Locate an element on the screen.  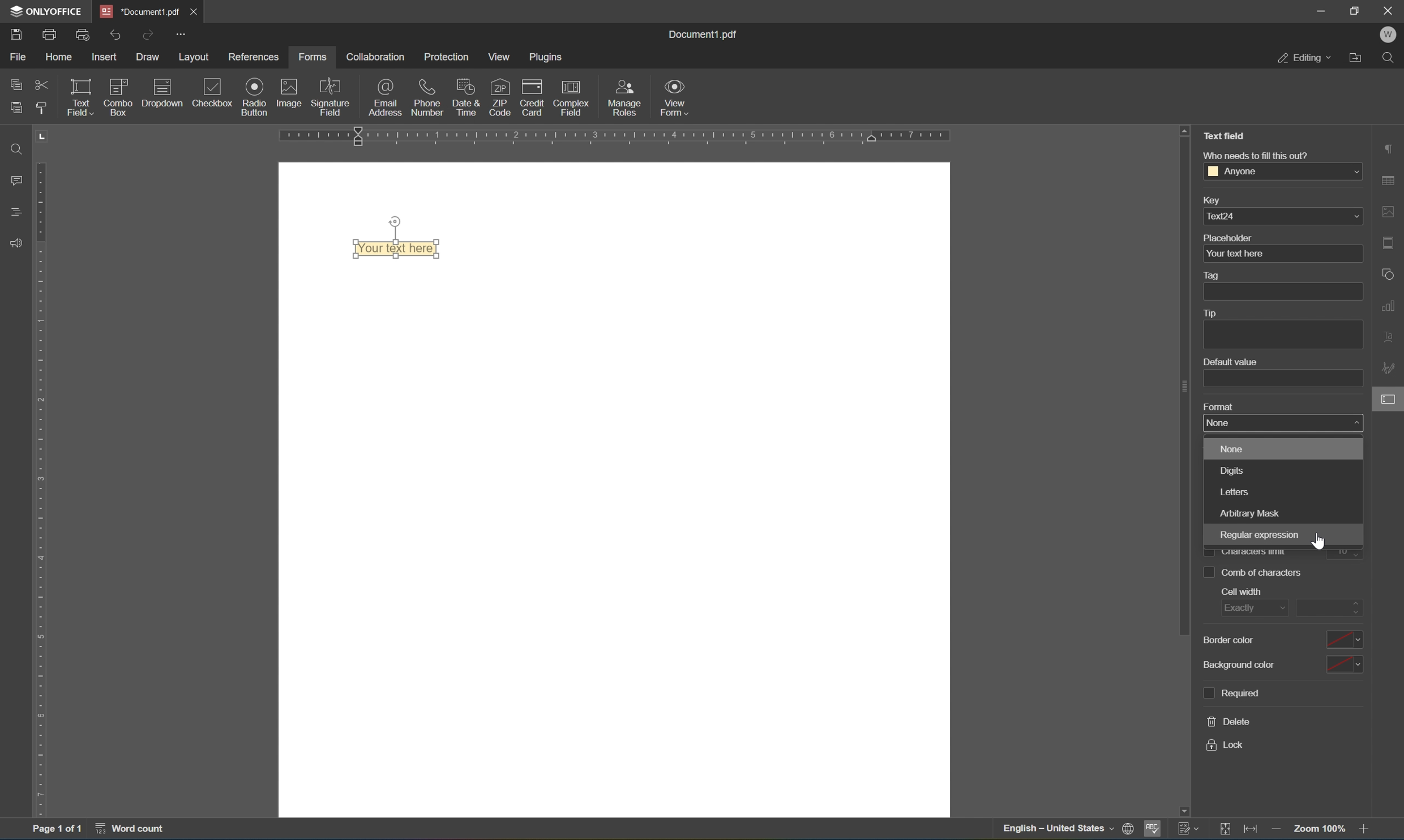
customize quick access toolbar is located at coordinates (179, 33).